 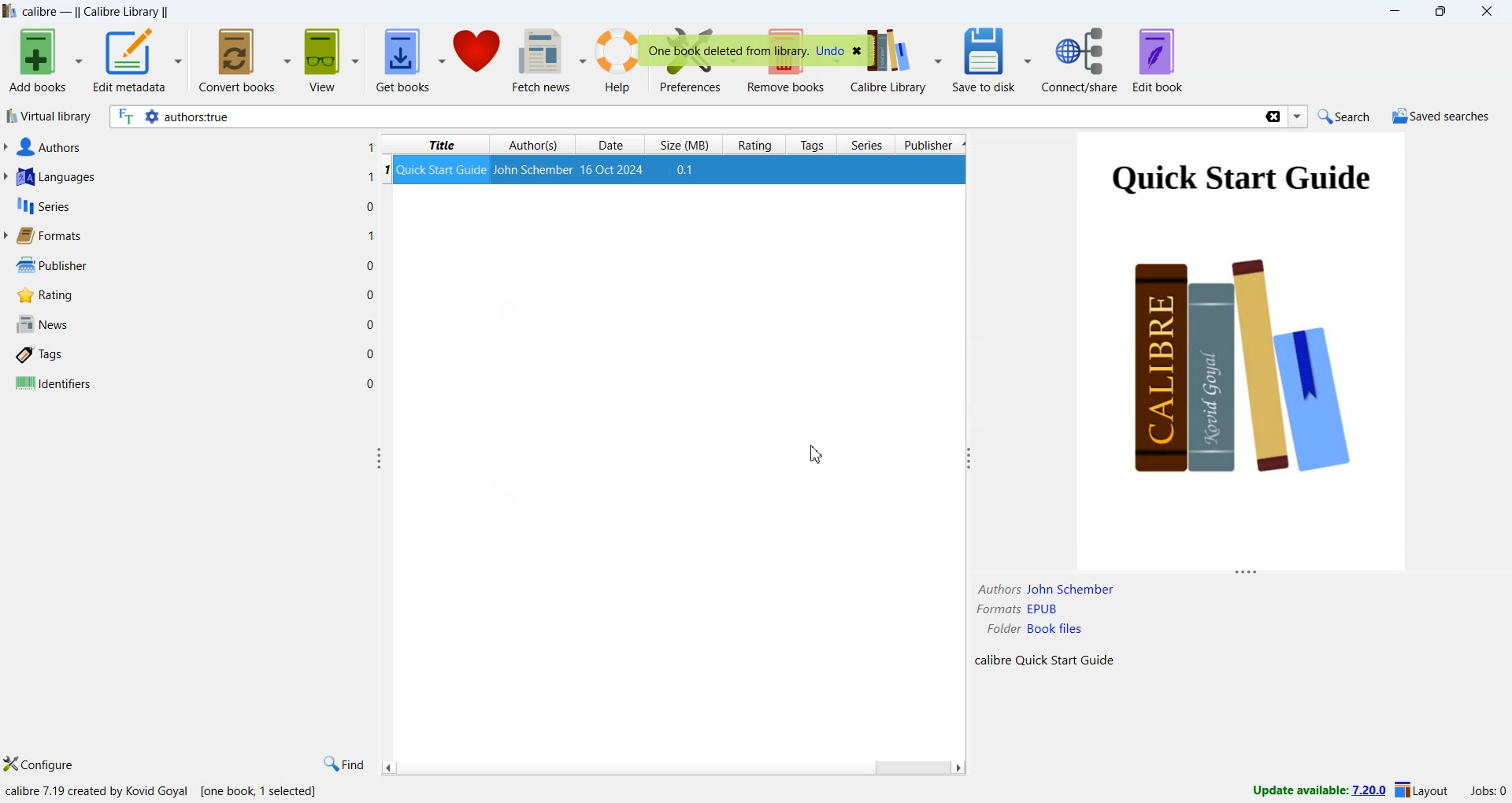 What do you see at coordinates (965, 458) in the screenshot?
I see `customize width` at bounding box center [965, 458].